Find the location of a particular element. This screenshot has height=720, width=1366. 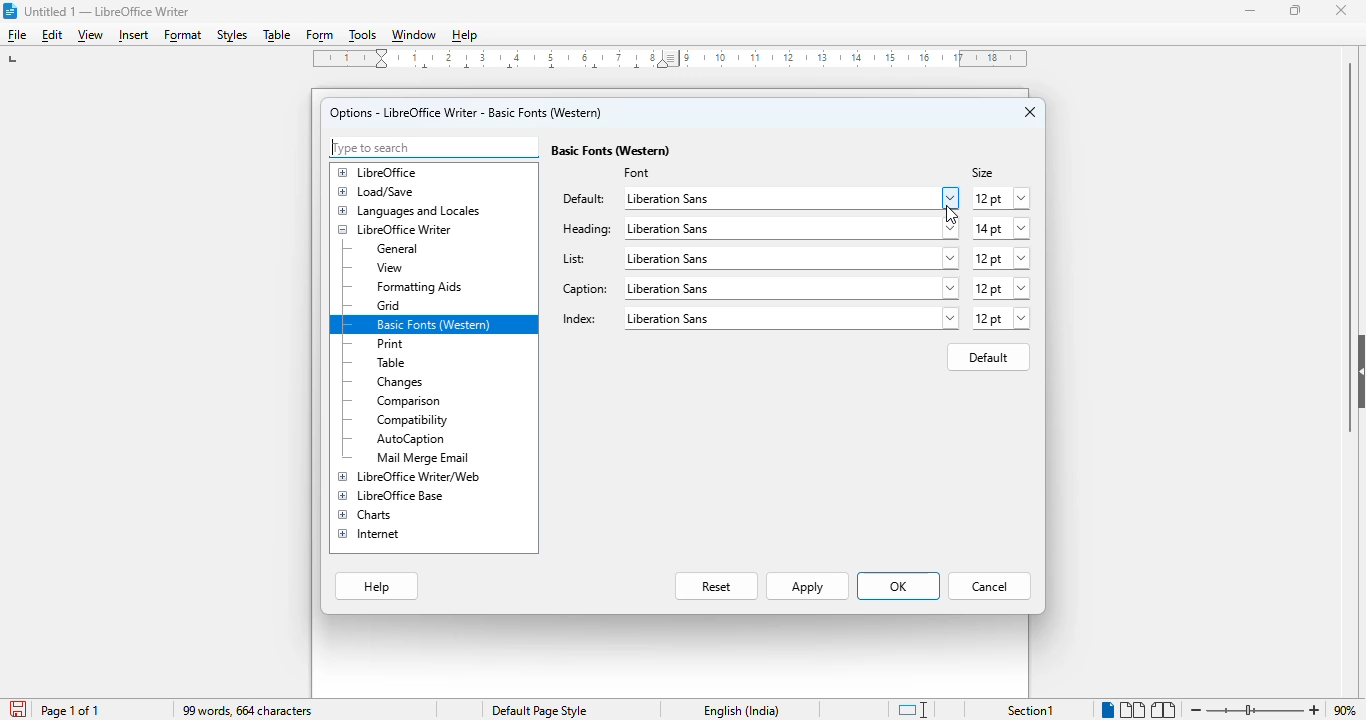

caption:  is located at coordinates (585, 290).